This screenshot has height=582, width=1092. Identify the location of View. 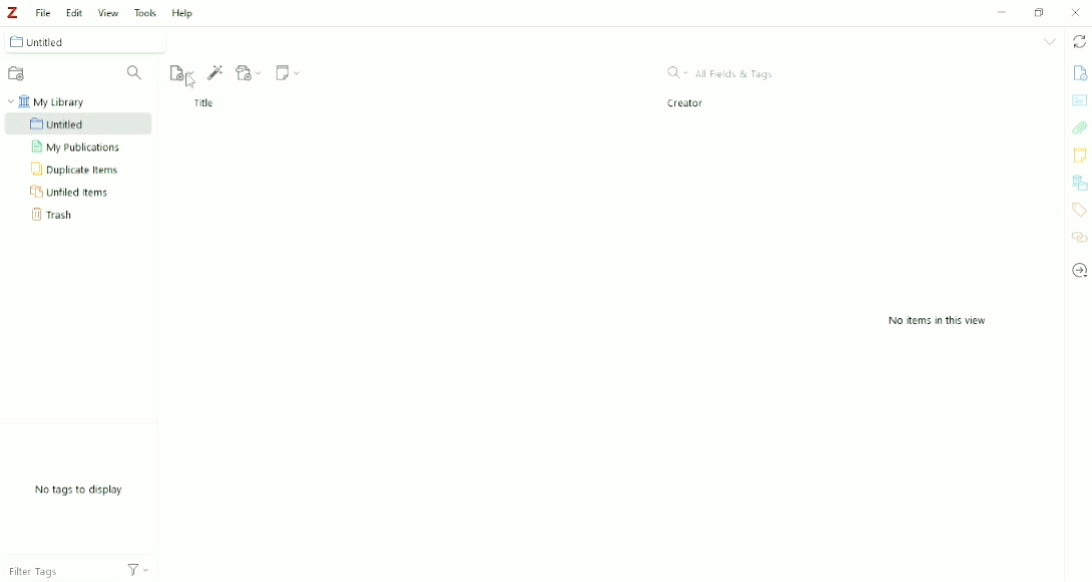
(107, 10).